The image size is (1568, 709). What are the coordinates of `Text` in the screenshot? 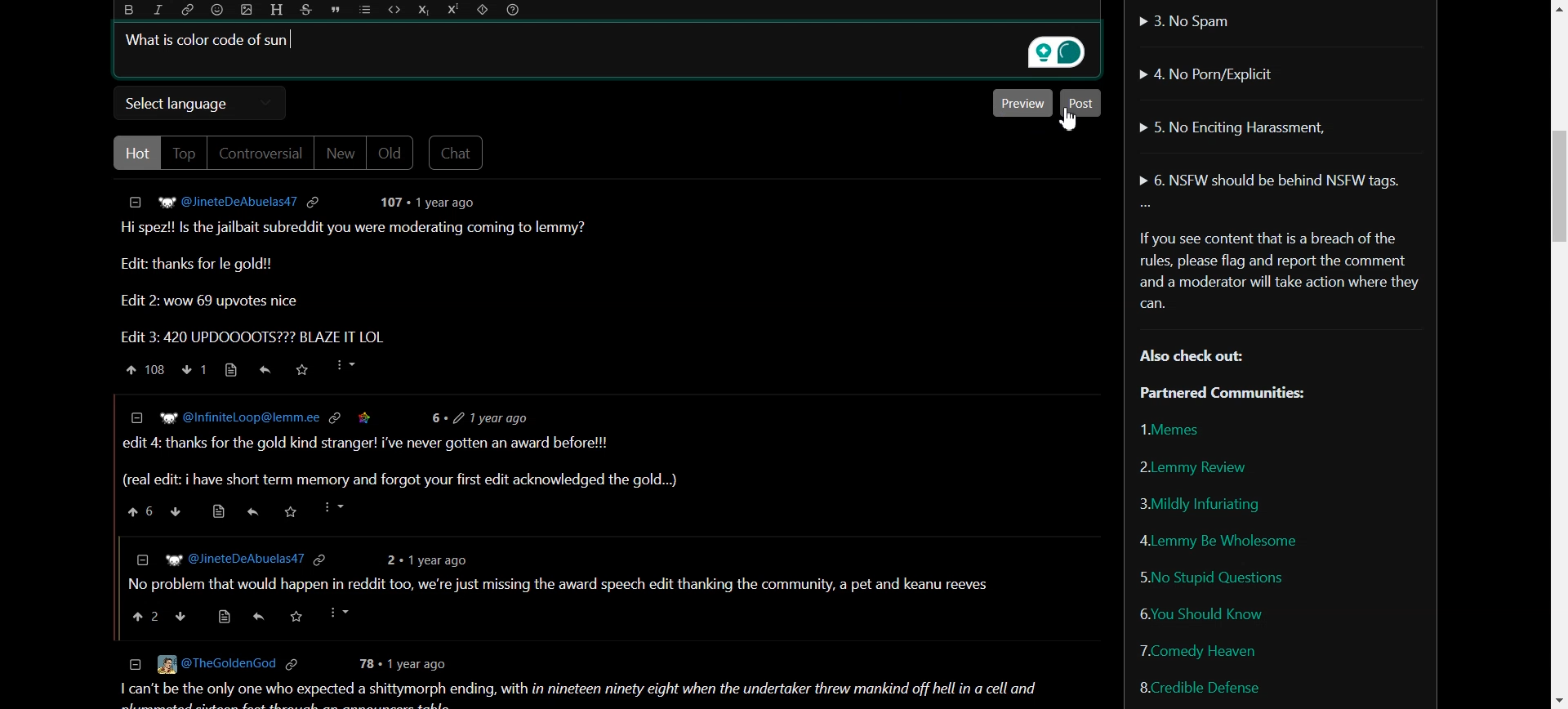 It's located at (1279, 311).